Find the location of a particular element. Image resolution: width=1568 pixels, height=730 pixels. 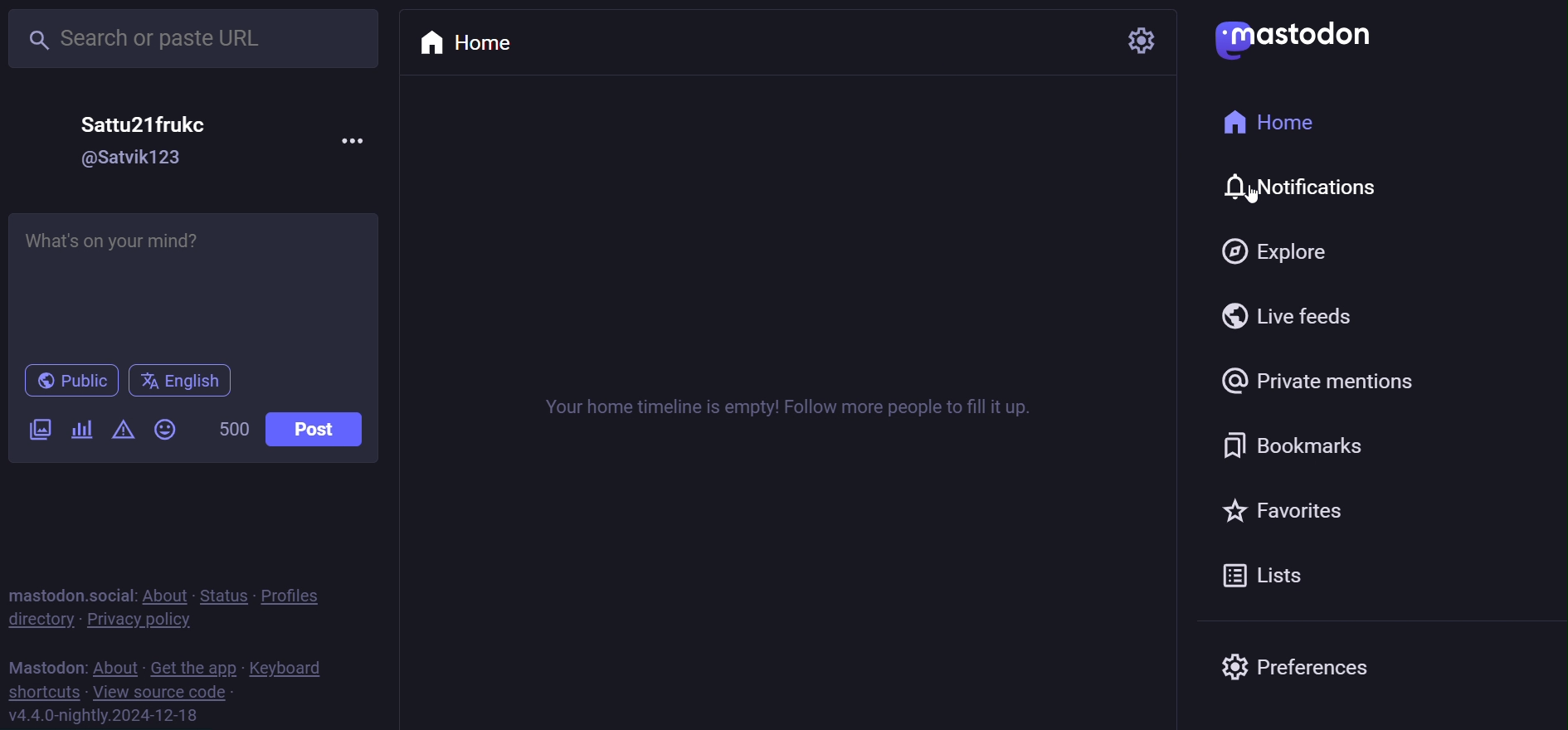

shortcut is located at coordinates (42, 691).